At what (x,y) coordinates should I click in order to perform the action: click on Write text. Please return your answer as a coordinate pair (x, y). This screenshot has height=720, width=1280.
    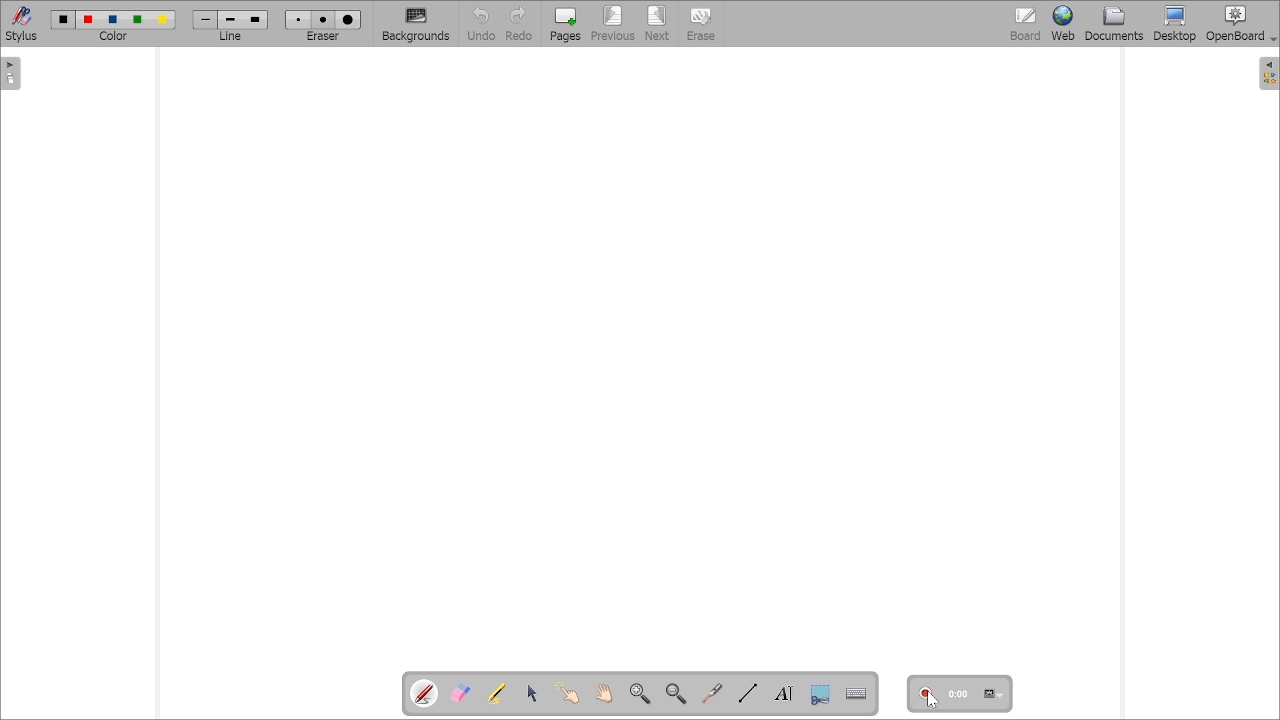
    Looking at the image, I should click on (782, 694).